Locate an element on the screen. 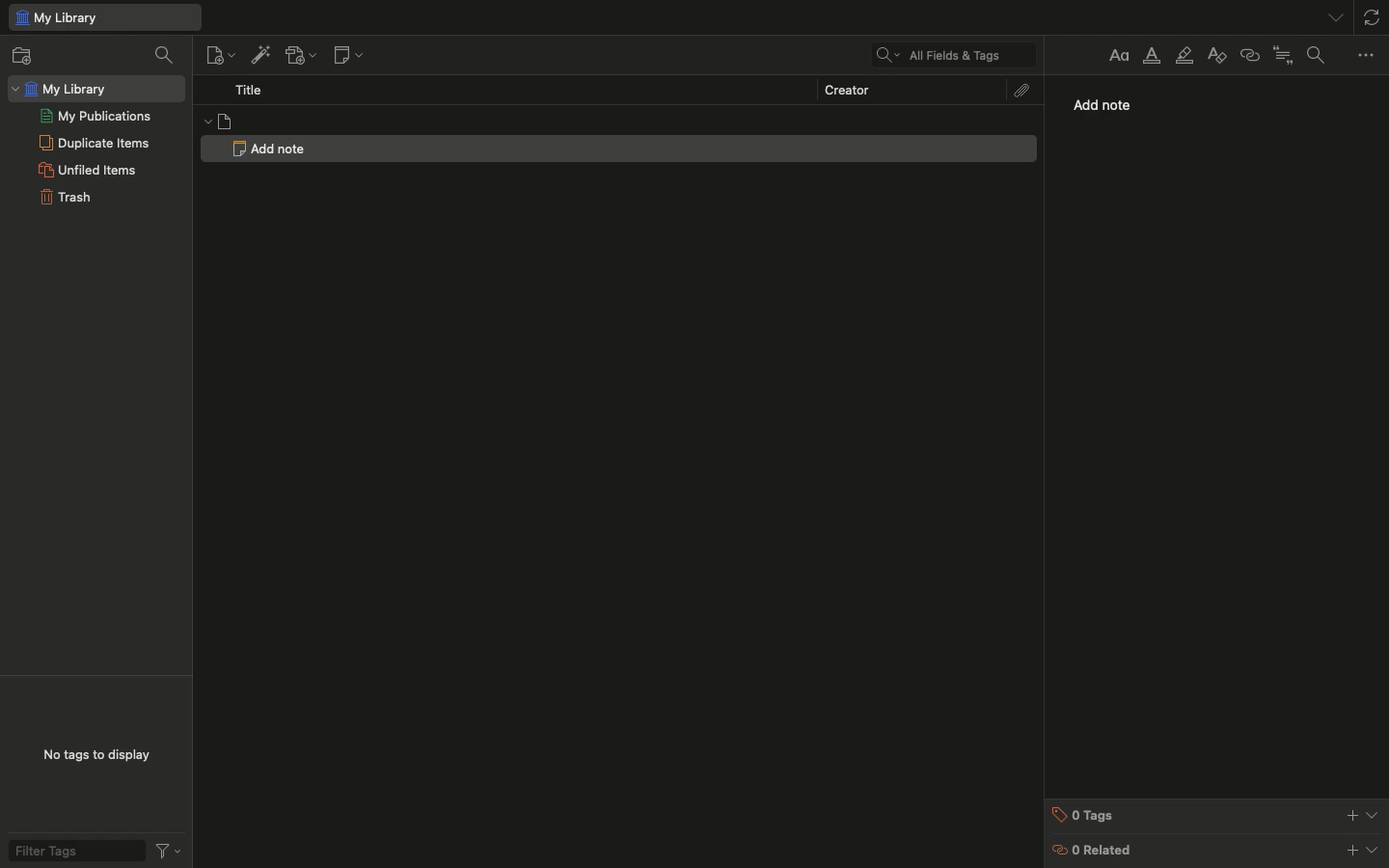 This screenshot has height=868, width=1389. Add note text is located at coordinates (1113, 106).